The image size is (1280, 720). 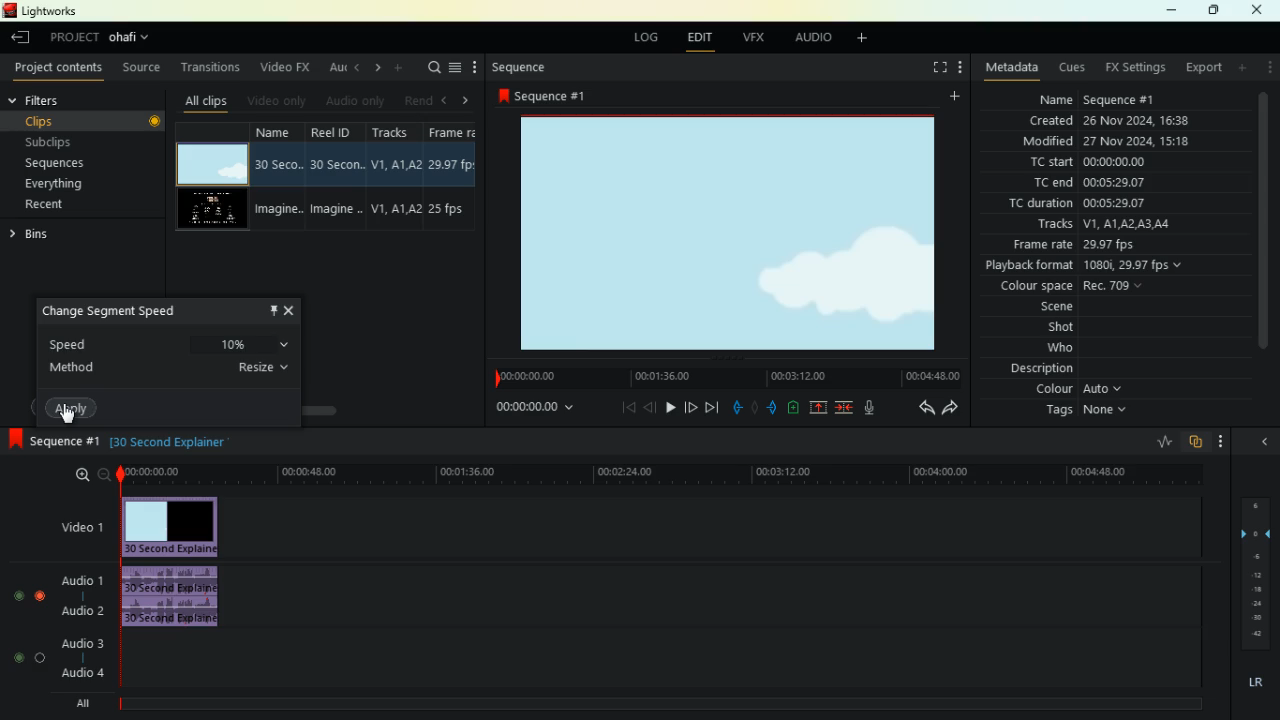 What do you see at coordinates (1071, 287) in the screenshot?
I see `colour space` at bounding box center [1071, 287].